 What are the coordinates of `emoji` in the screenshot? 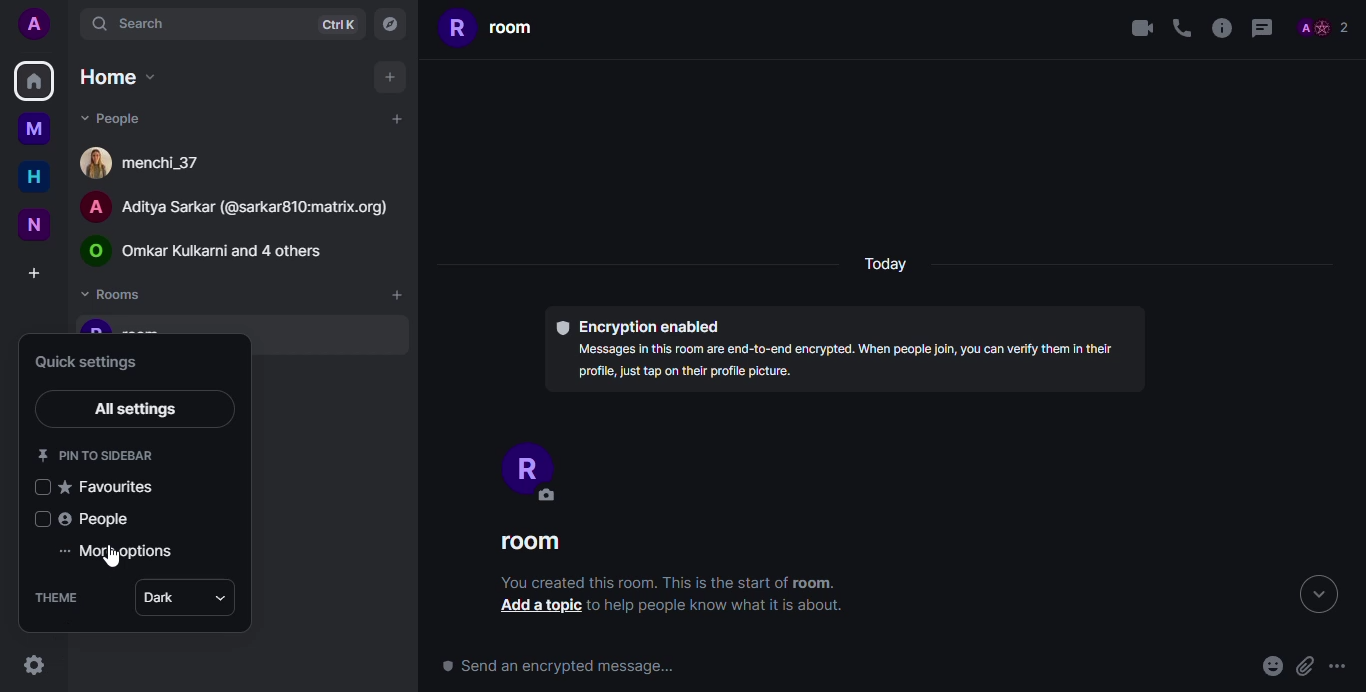 It's located at (1267, 668).